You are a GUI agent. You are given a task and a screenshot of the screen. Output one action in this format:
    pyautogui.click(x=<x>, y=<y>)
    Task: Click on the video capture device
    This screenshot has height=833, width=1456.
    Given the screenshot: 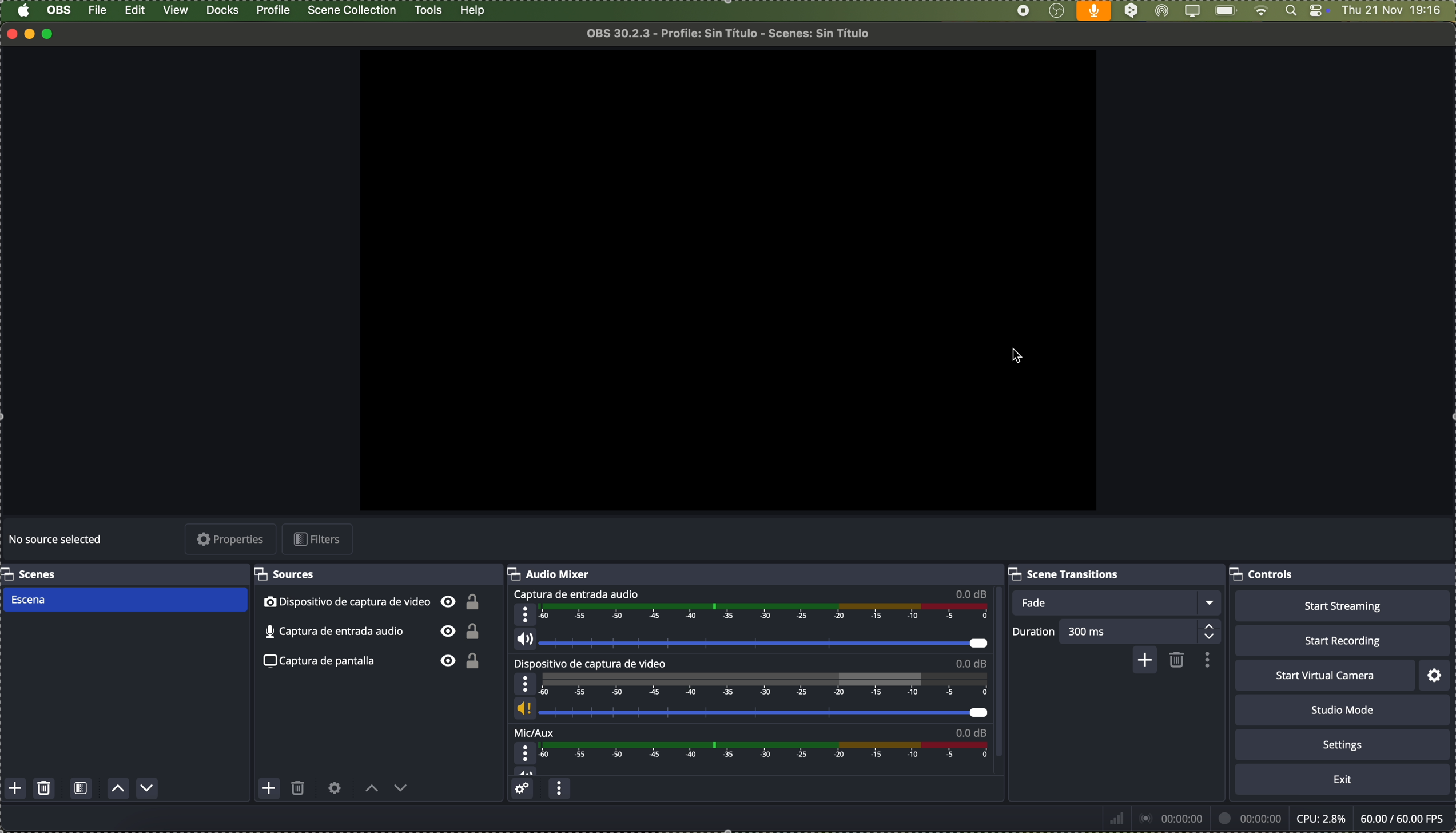 What is the action you would take?
    pyautogui.click(x=373, y=603)
    